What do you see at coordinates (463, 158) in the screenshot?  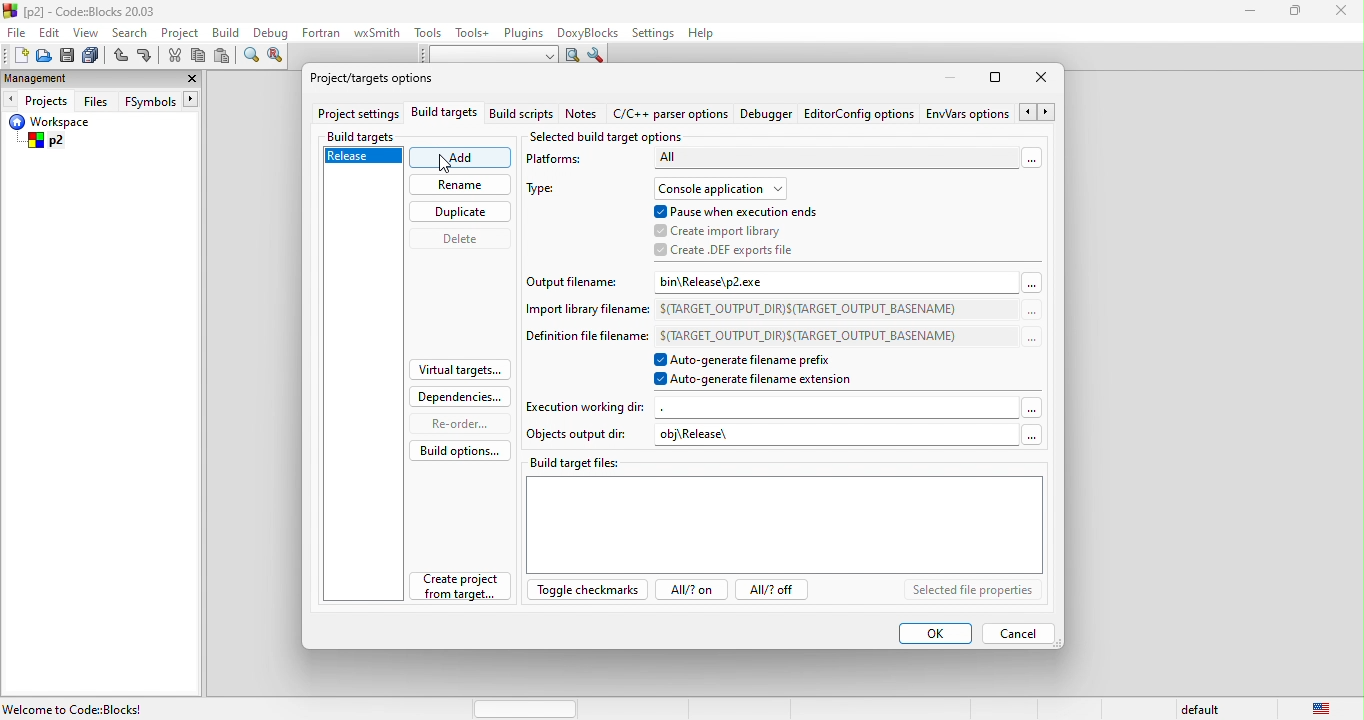 I see `add` at bounding box center [463, 158].